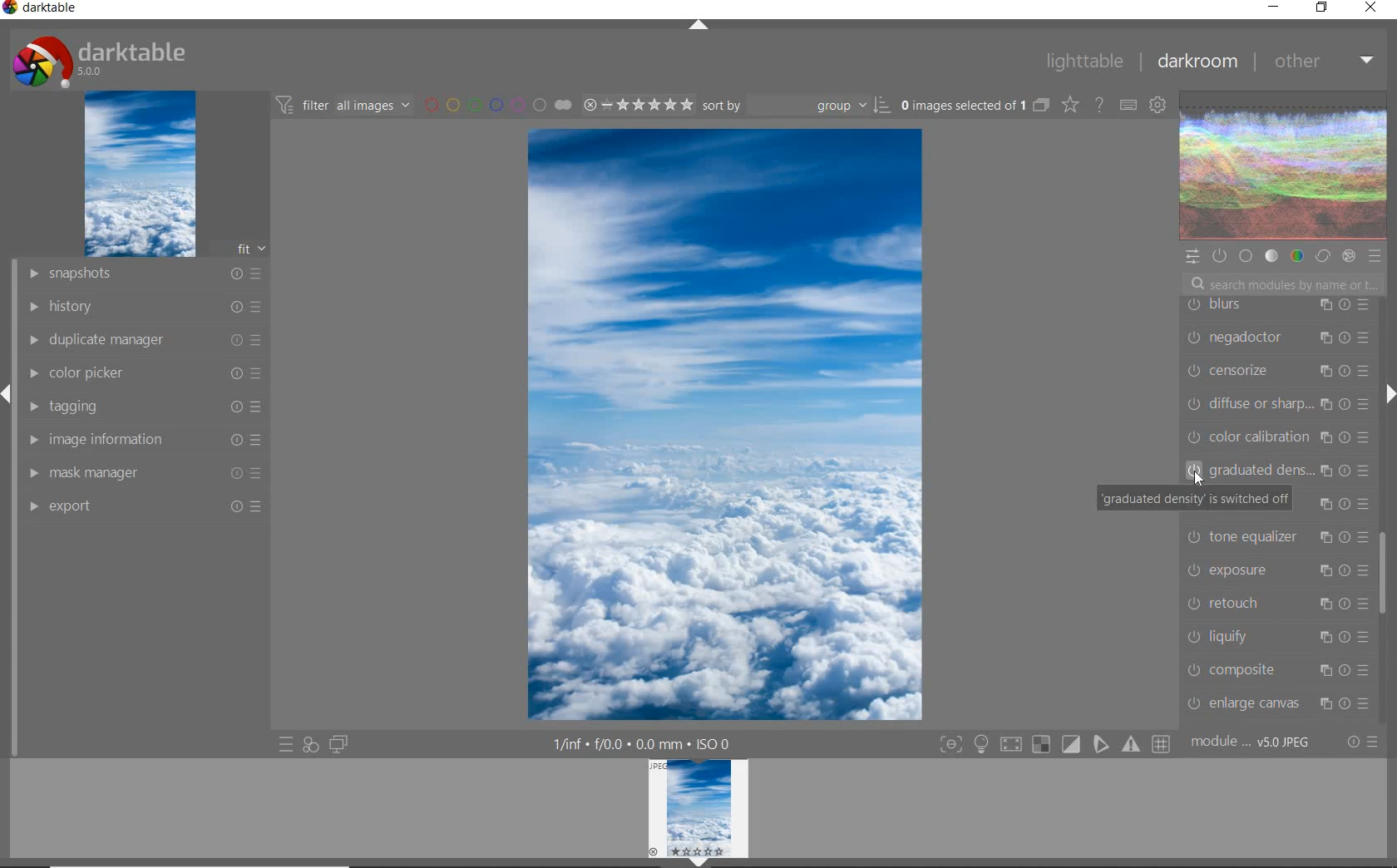 The height and width of the screenshot is (868, 1397). Describe the element at coordinates (725, 424) in the screenshot. I see `SELECTED IMAGE` at that location.